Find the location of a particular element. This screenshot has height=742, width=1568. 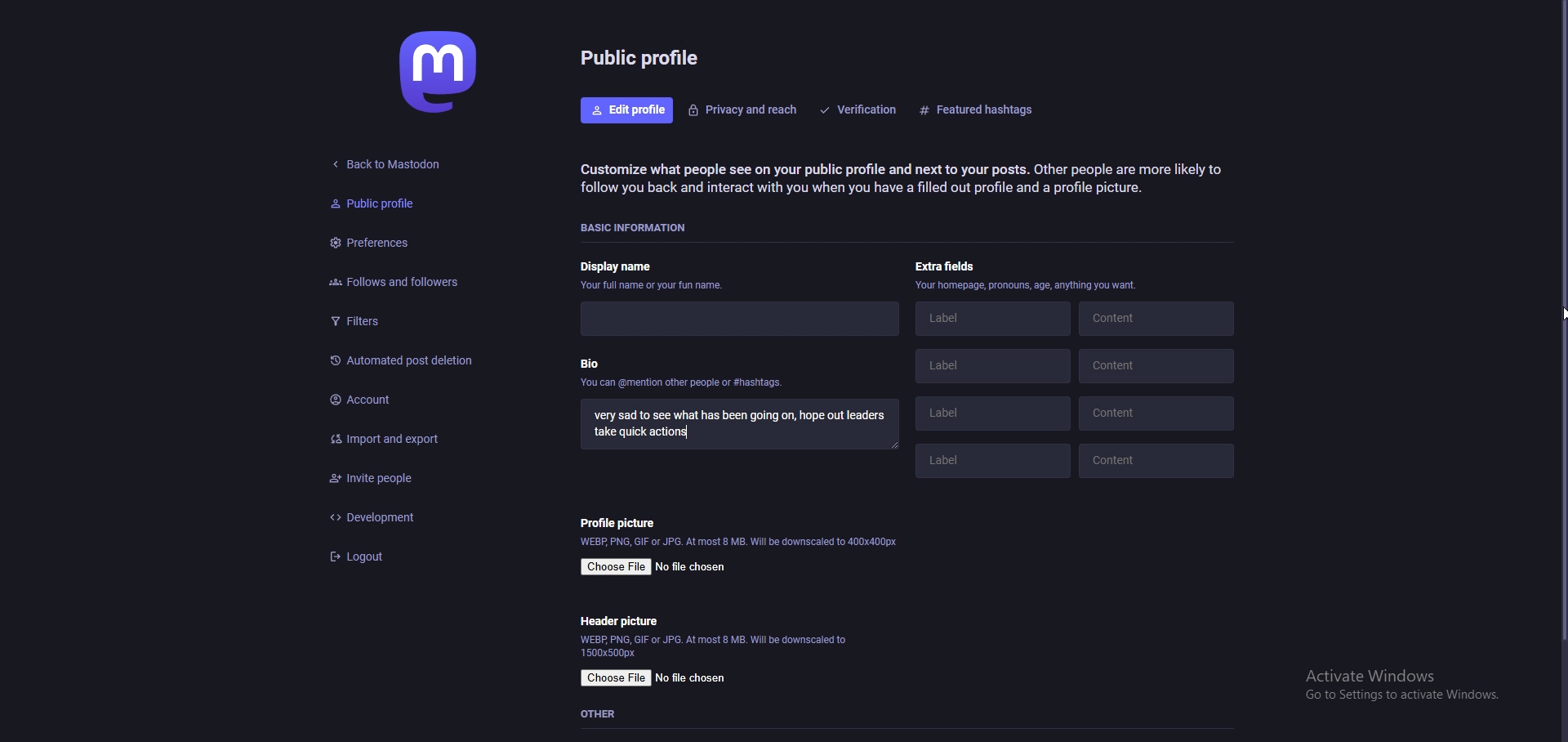

content is located at coordinates (1156, 366).